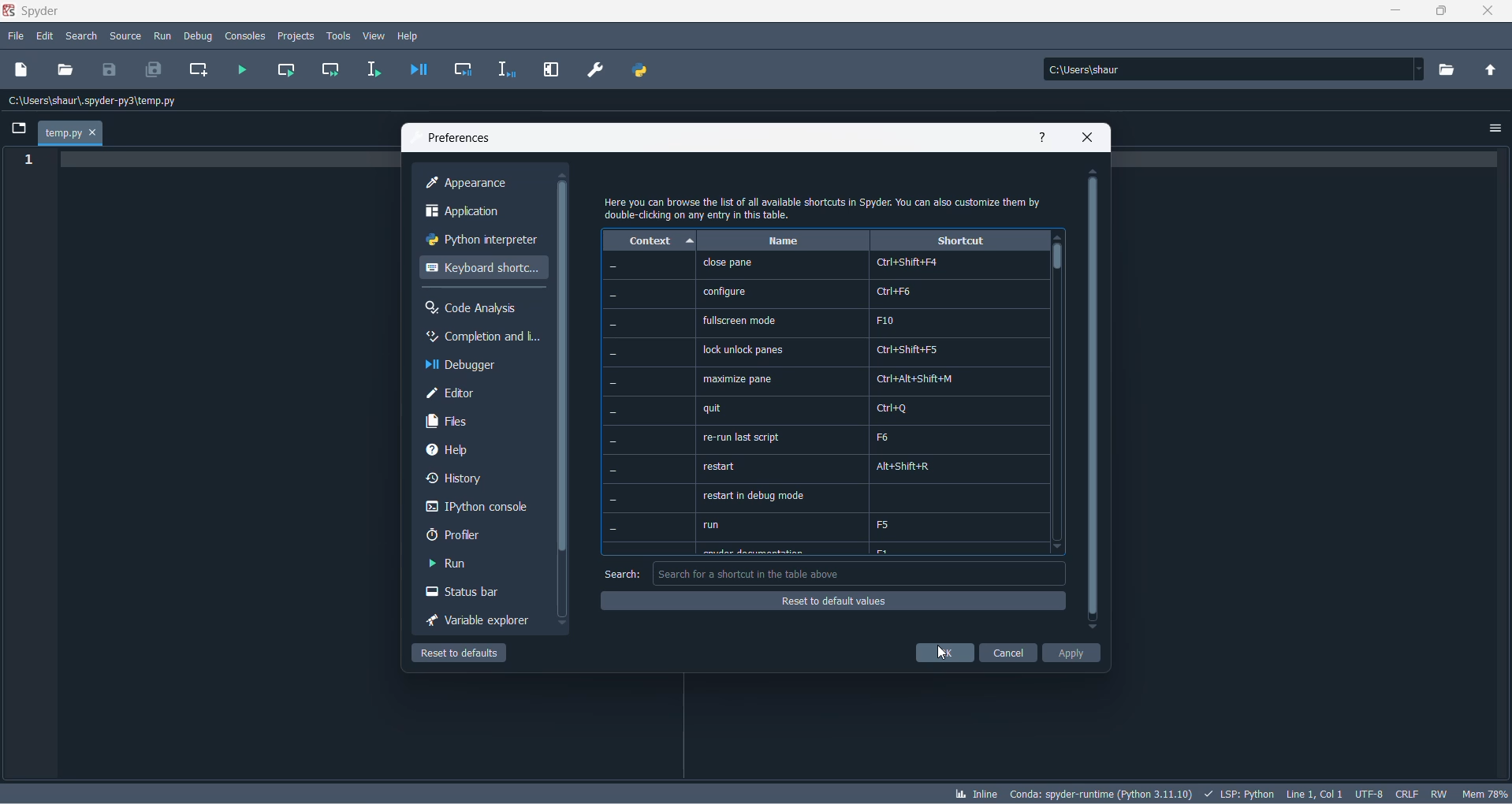 This screenshot has height=804, width=1512. What do you see at coordinates (613, 296) in the screenshot?
I see `` at bounding box center [613, 296].